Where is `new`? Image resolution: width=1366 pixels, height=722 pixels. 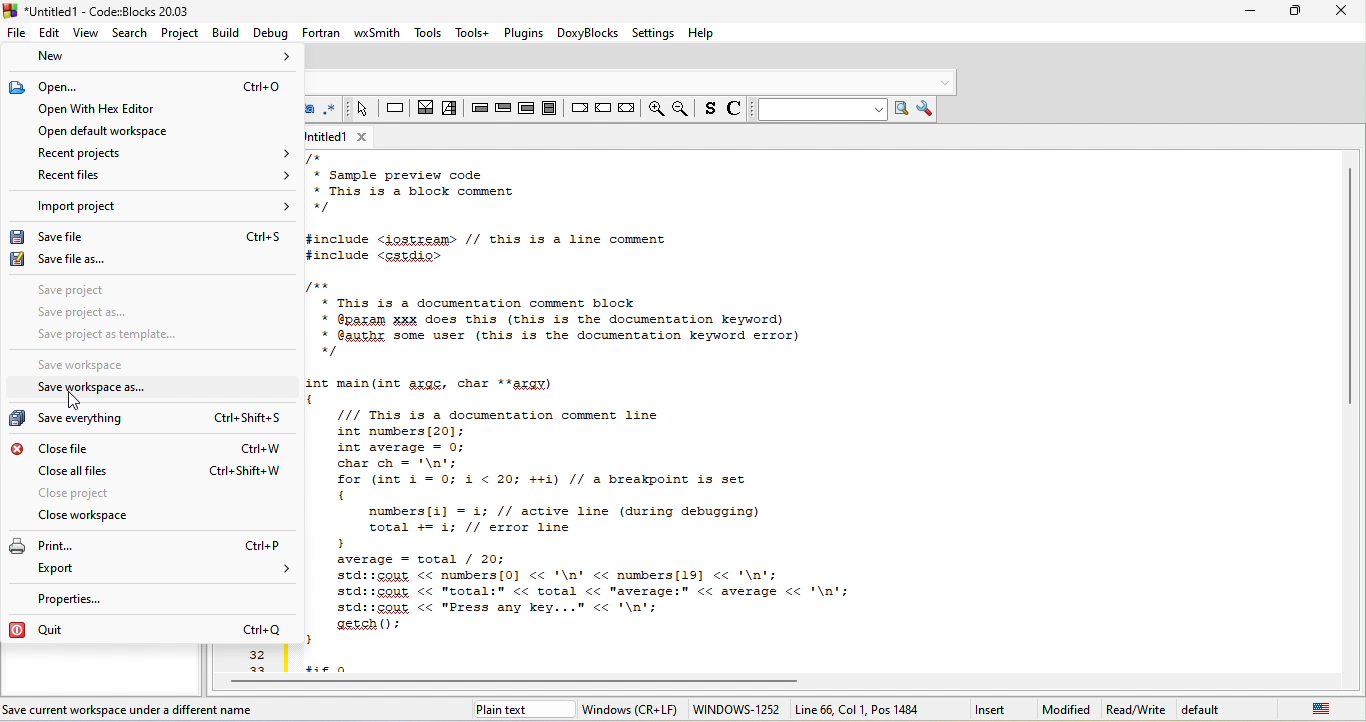 new is located at coordinates (153, 59).